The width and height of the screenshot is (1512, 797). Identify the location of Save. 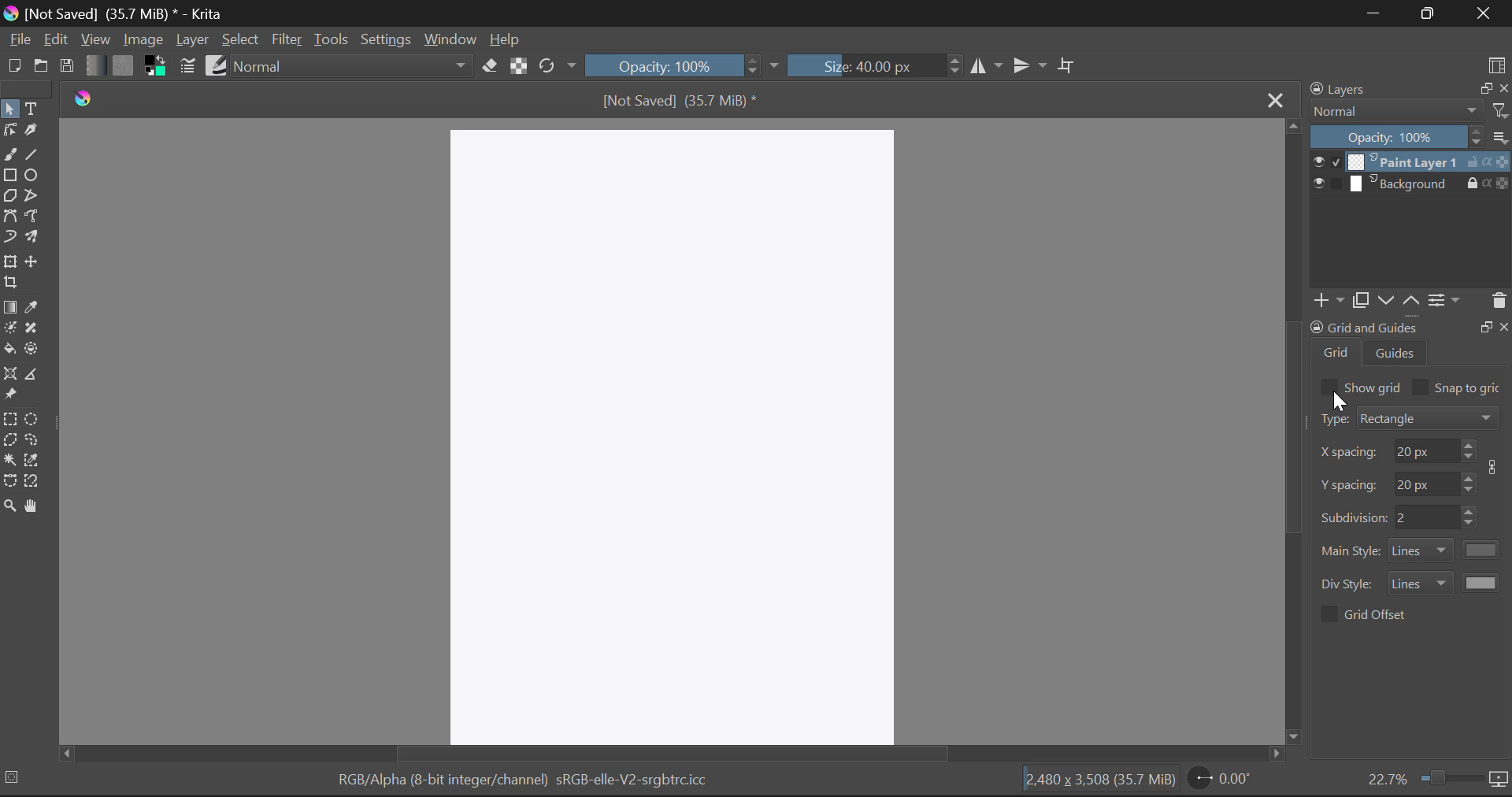
(66, 63).